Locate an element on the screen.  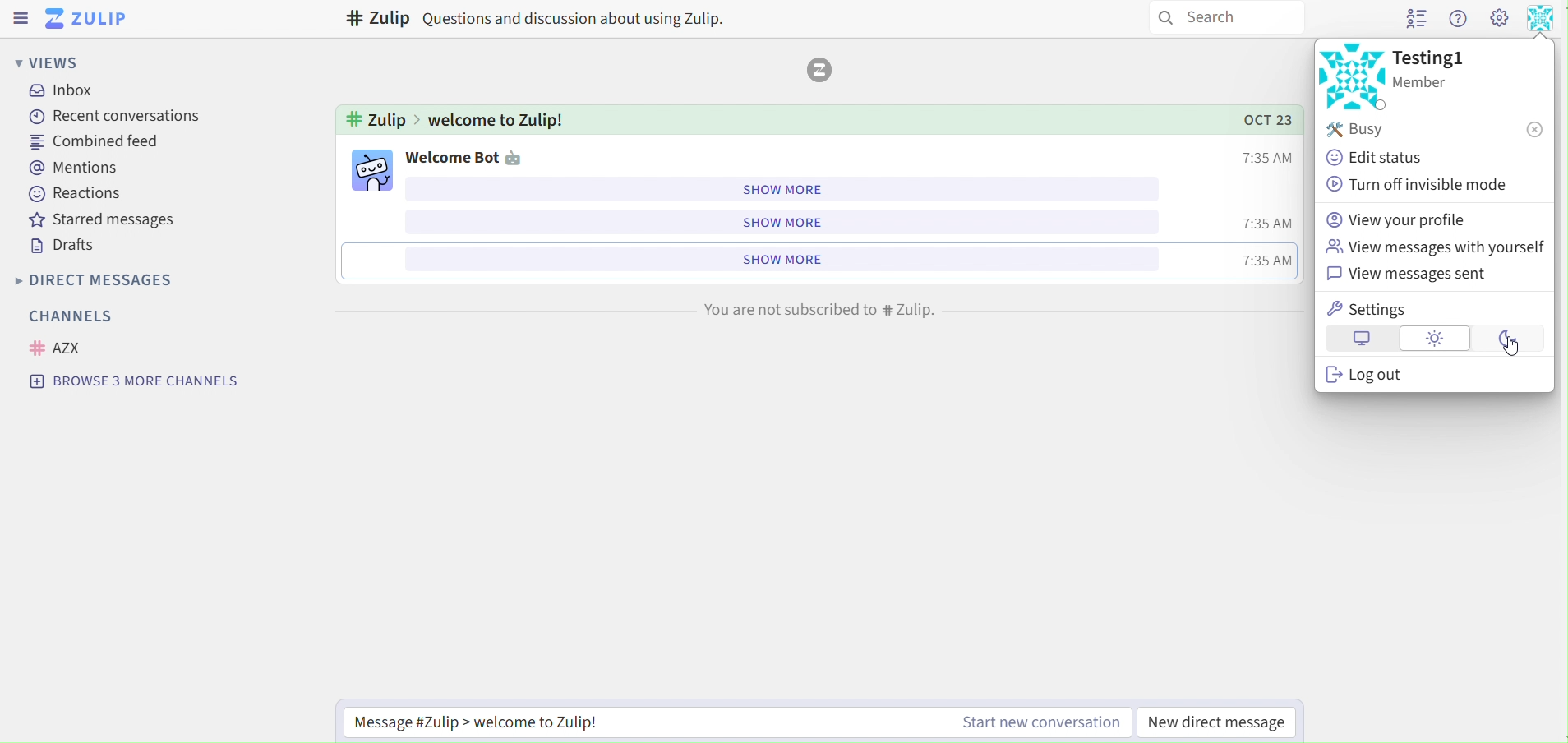
time is located at coordinates (1266, 260).